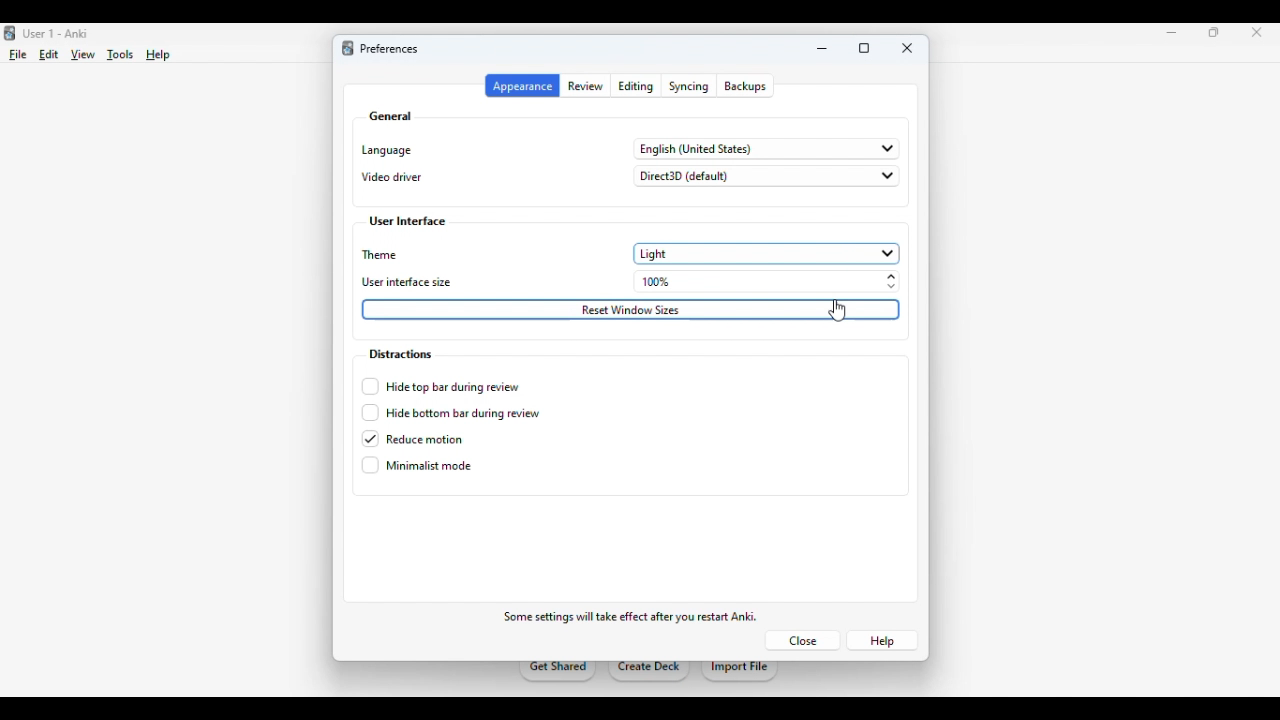 This screenshot has width=1280, height=720. What do you see at coordinates (386, 150) in the screenshot?
I see `language` at bounding box center [386, 150].